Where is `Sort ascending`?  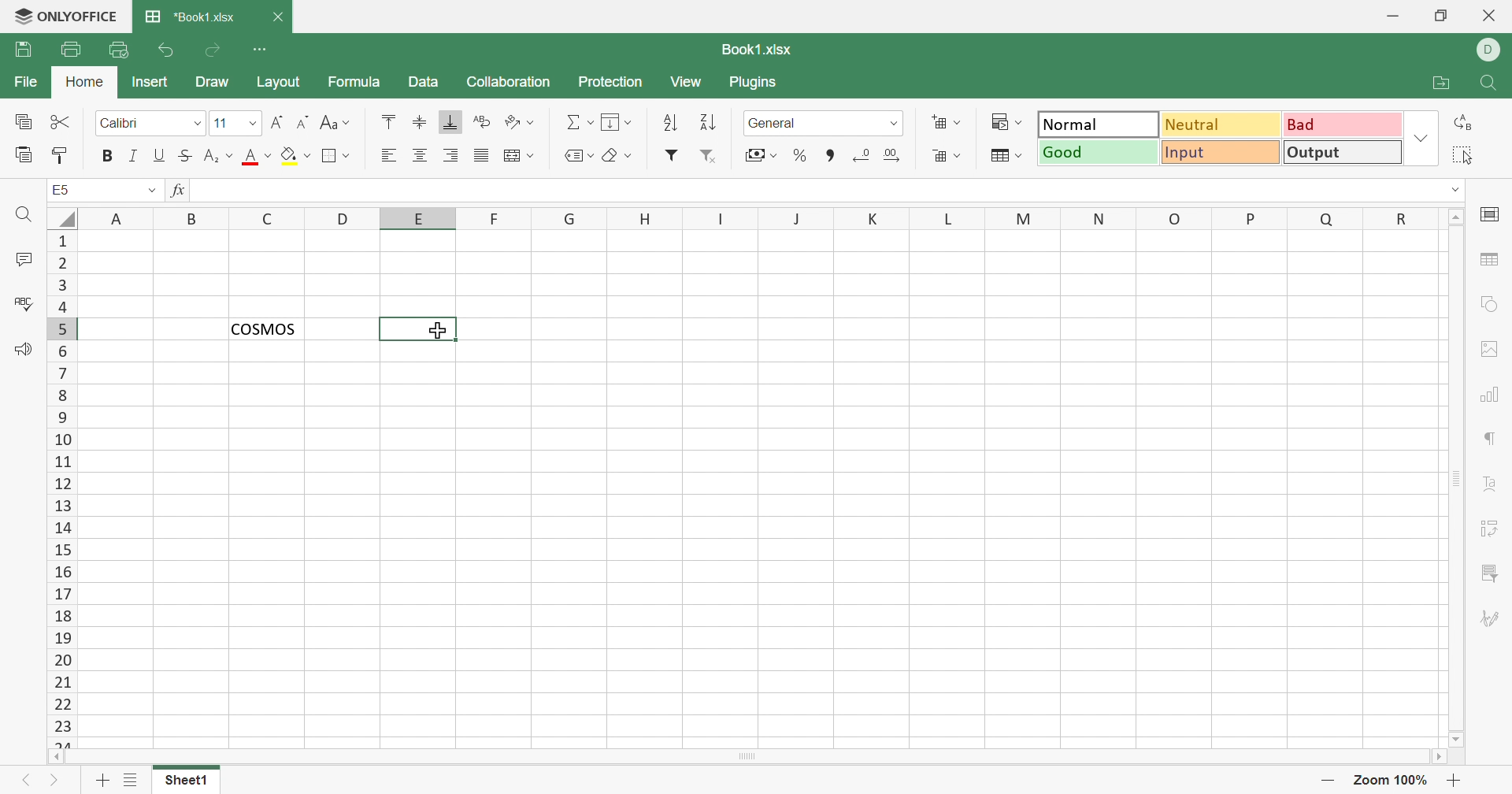 Sort ascending is located at coordinates (671, 124).